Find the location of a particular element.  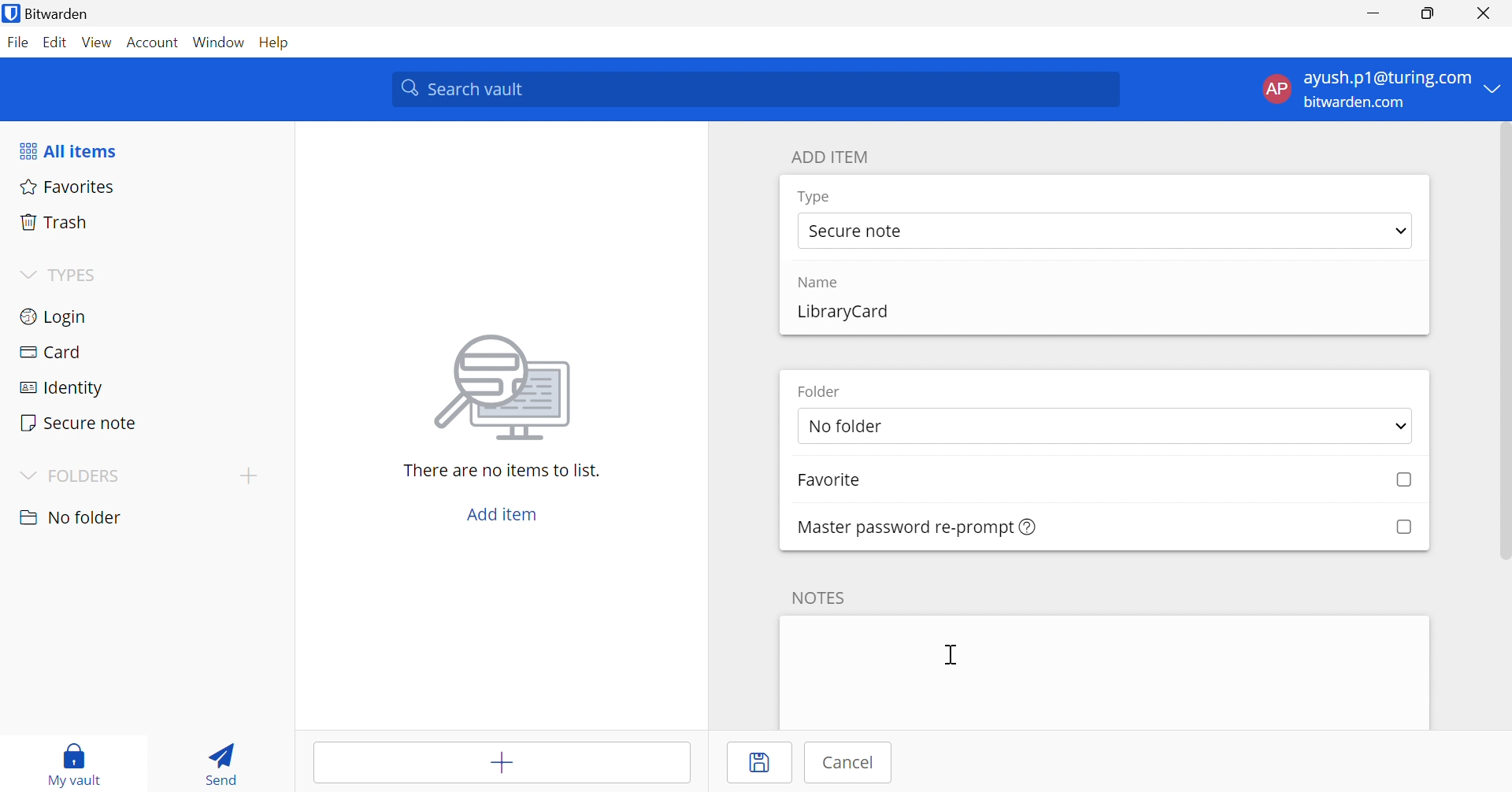

Checkbox is located at coordinates (1402, 527).